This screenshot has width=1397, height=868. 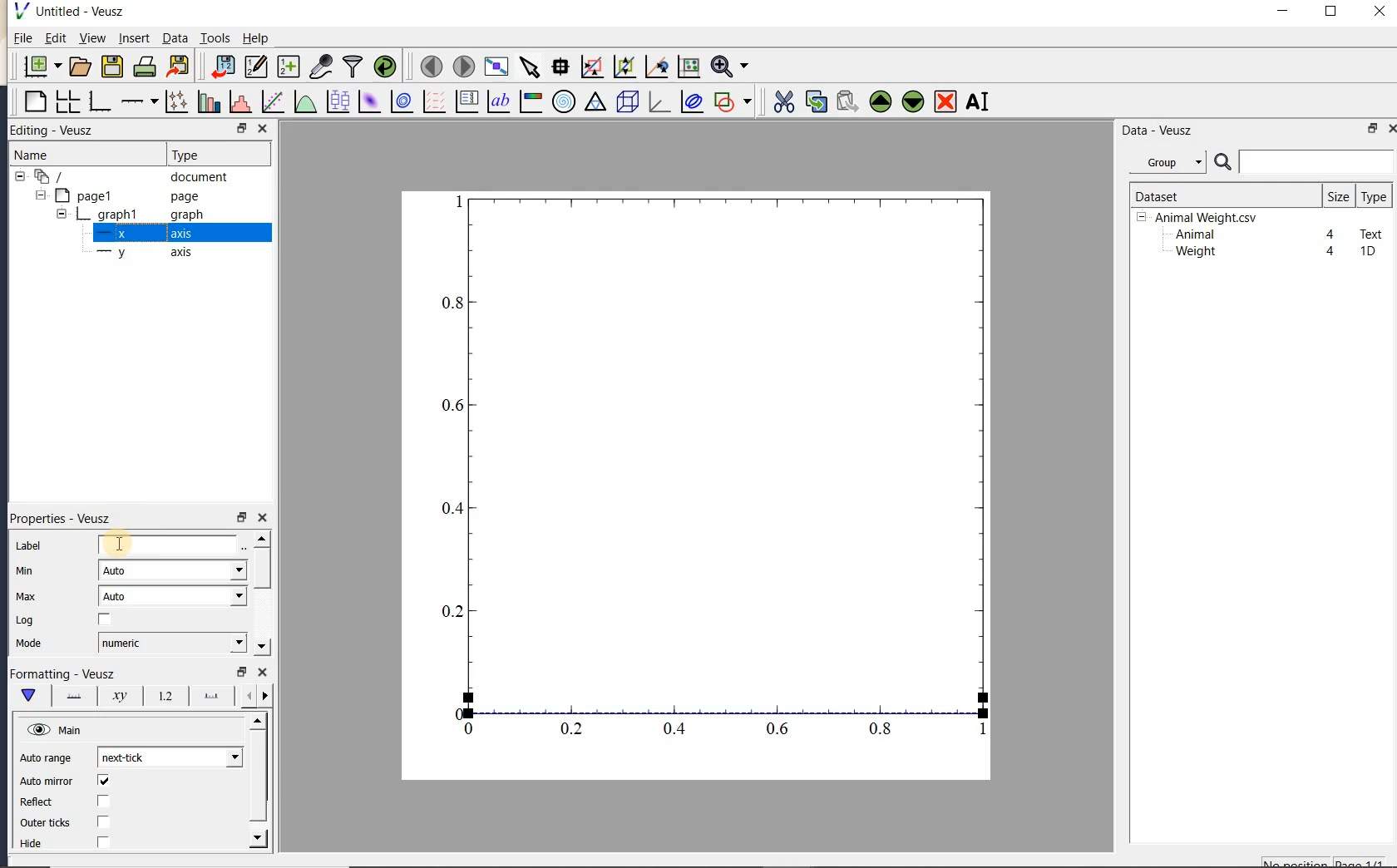 I want to click on Numeric, so click(x=171, y=643).